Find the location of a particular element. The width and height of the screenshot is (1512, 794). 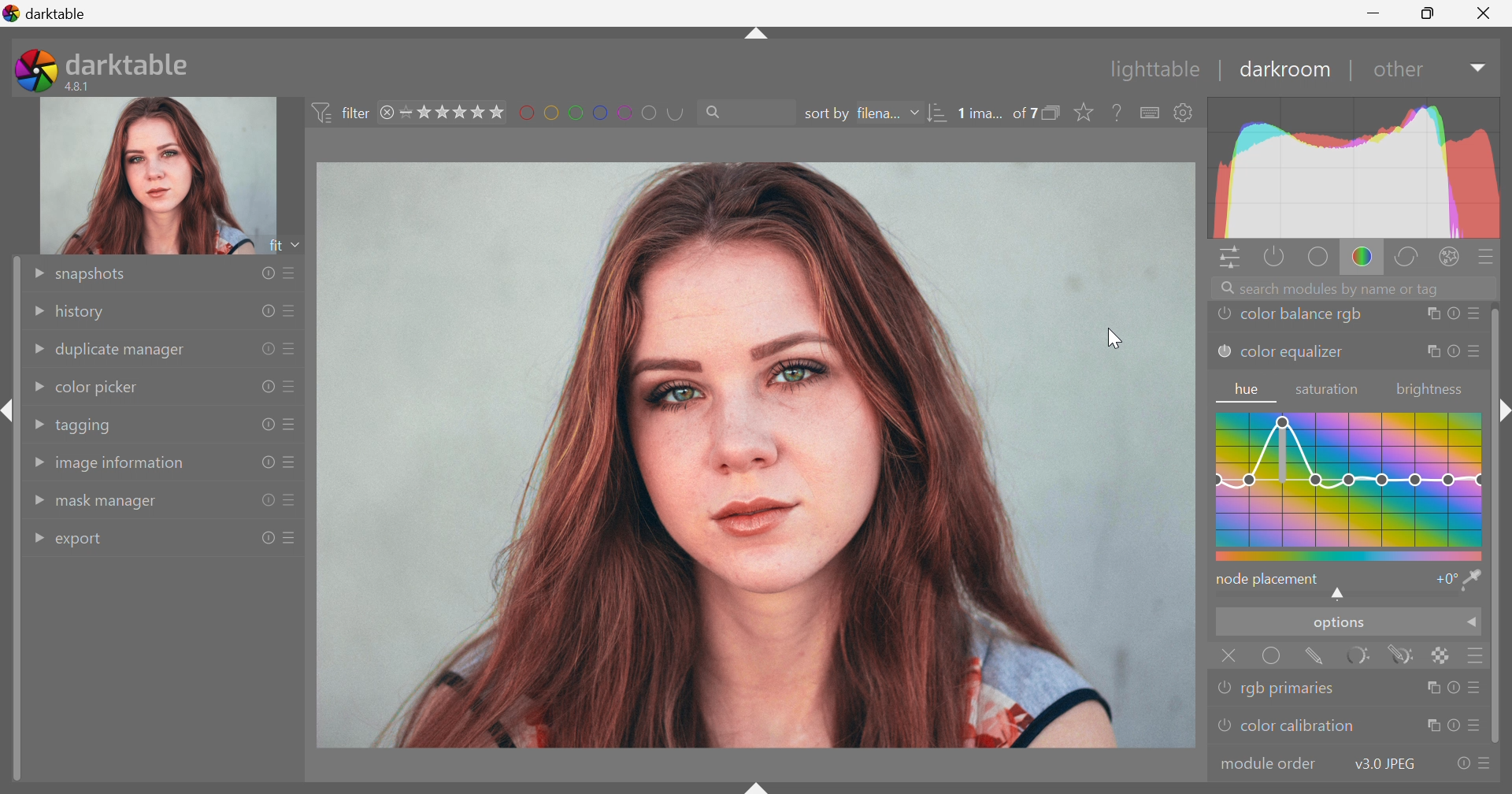

pick hue from image and visualize it is located at coordinates (1473, 580).